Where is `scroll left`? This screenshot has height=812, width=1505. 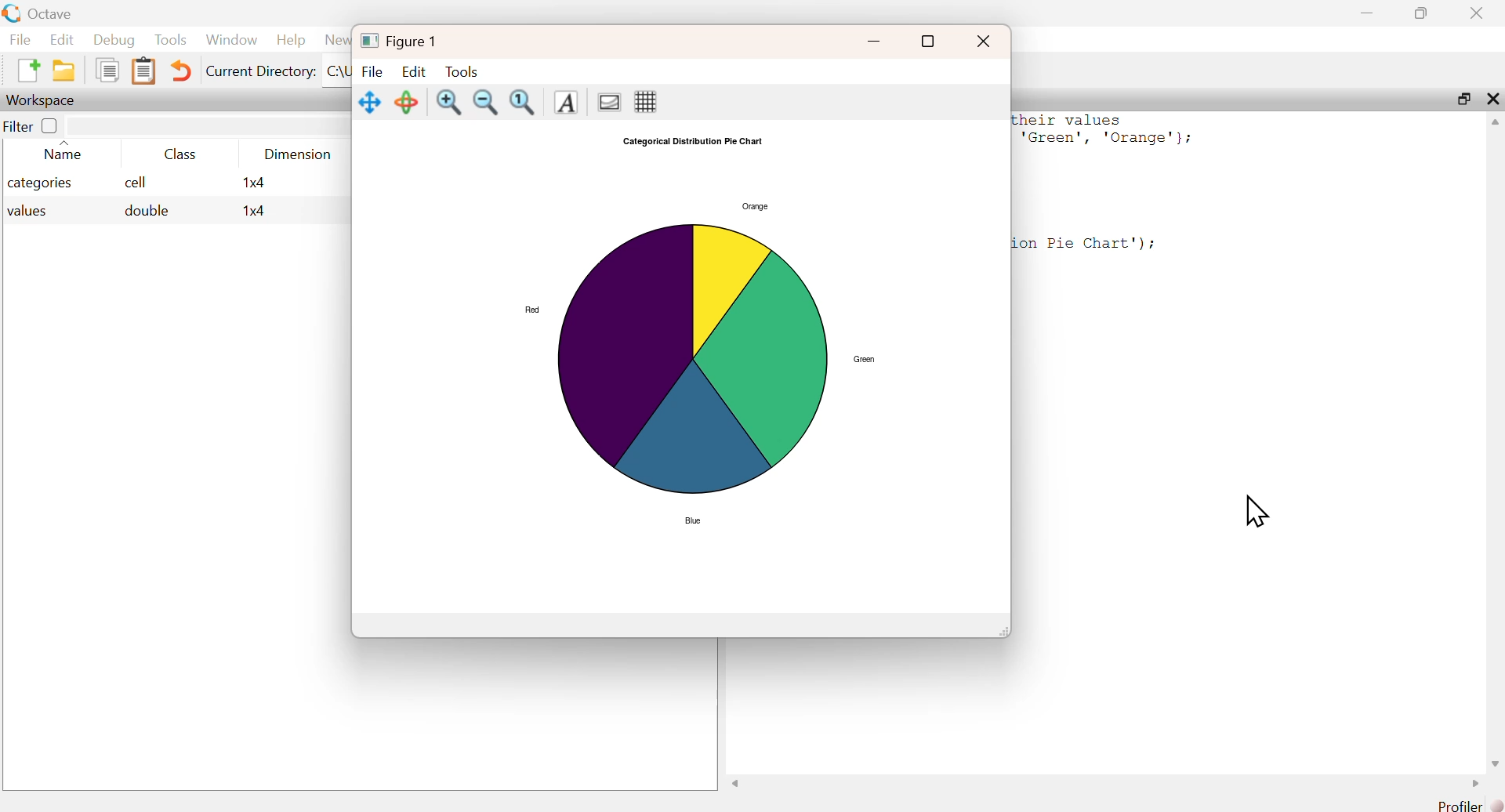
scroll left is located at coordinates (738, 782).